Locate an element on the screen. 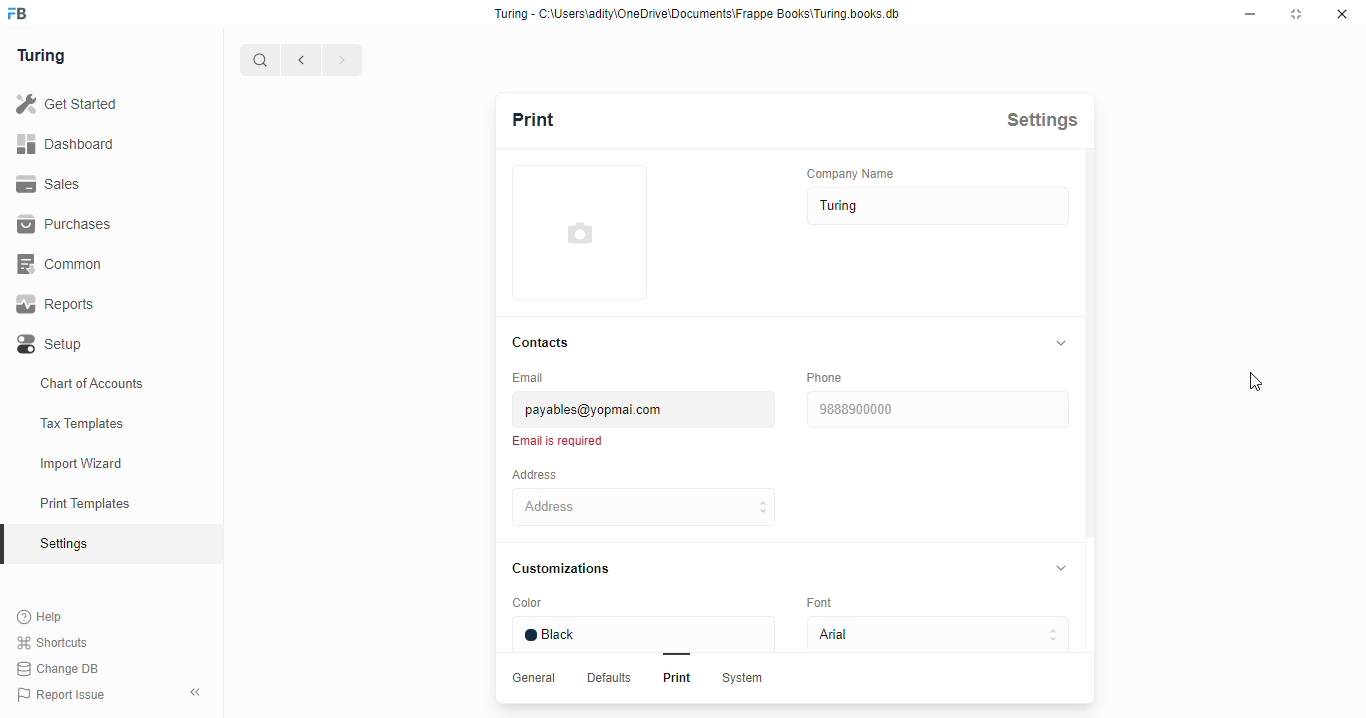  collapse is located at coordinates (197, 689).